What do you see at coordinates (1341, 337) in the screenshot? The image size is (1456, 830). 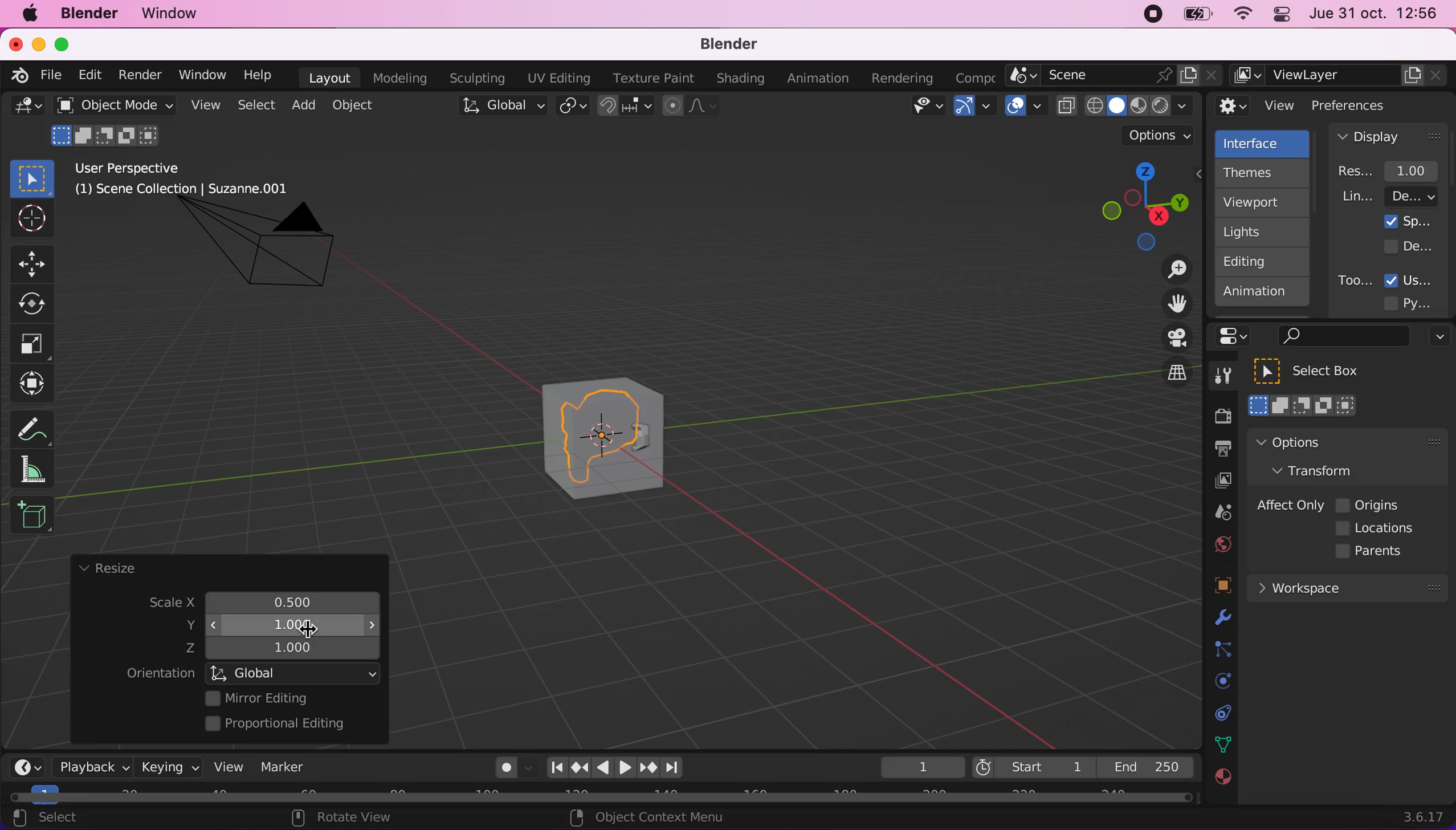 I see `search` at bounding box center [1341, 337].